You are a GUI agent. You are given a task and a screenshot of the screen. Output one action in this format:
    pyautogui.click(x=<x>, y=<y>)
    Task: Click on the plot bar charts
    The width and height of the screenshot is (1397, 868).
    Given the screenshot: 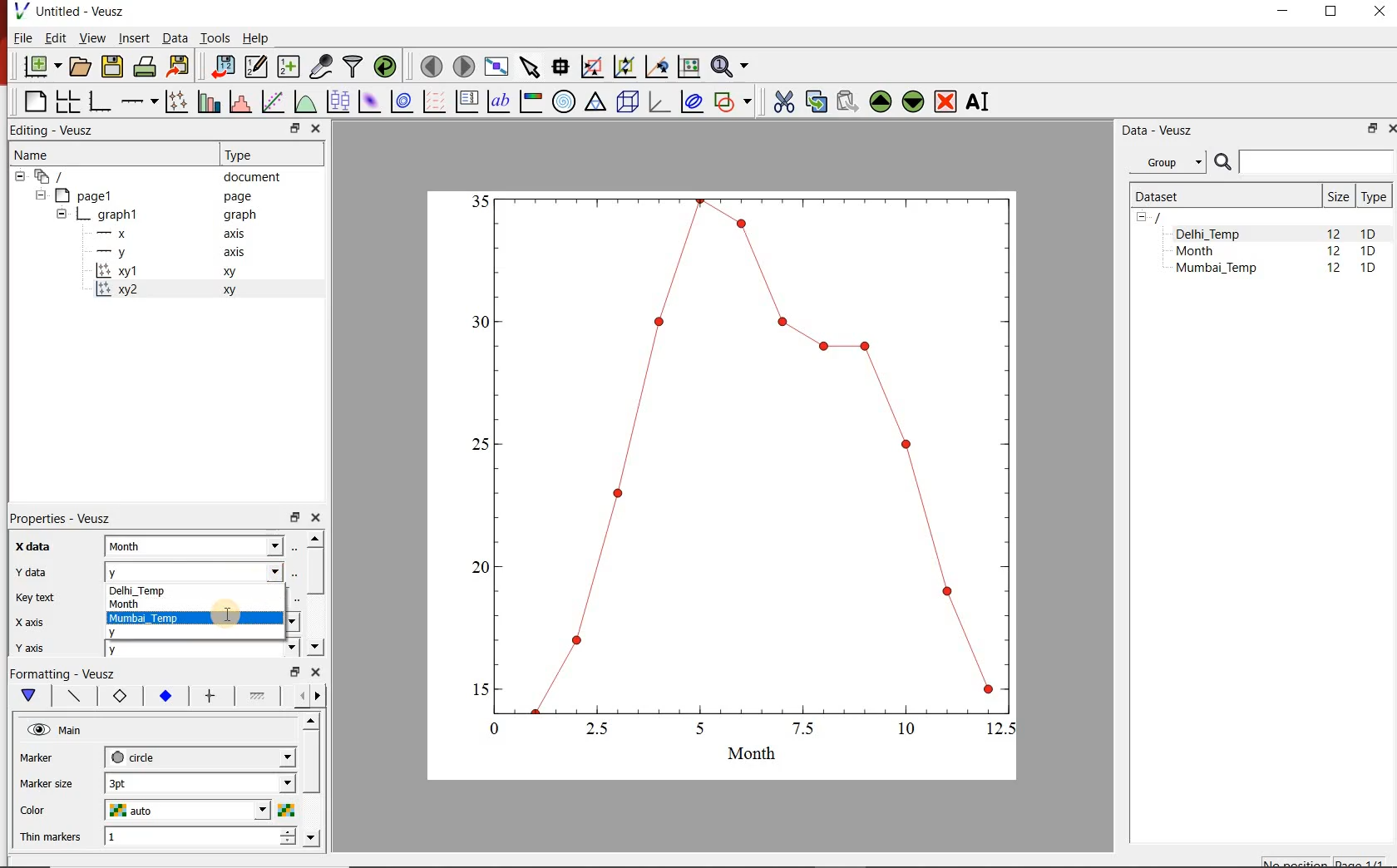 What is the action you would take?
    pyautogui.click(x=206, y=102)
    